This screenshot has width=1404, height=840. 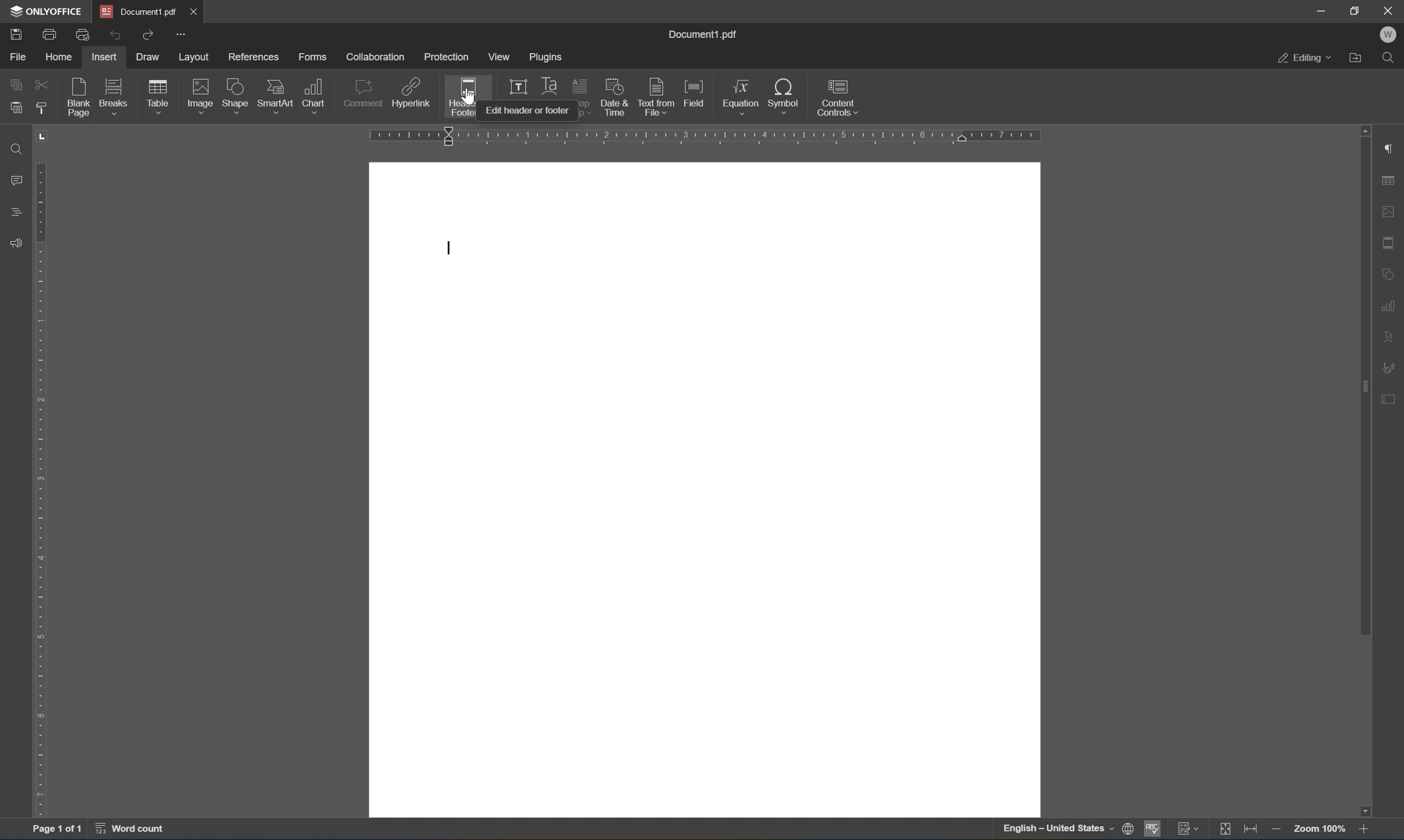 I want to click on edit header or footer, so click(x=528, y=110).